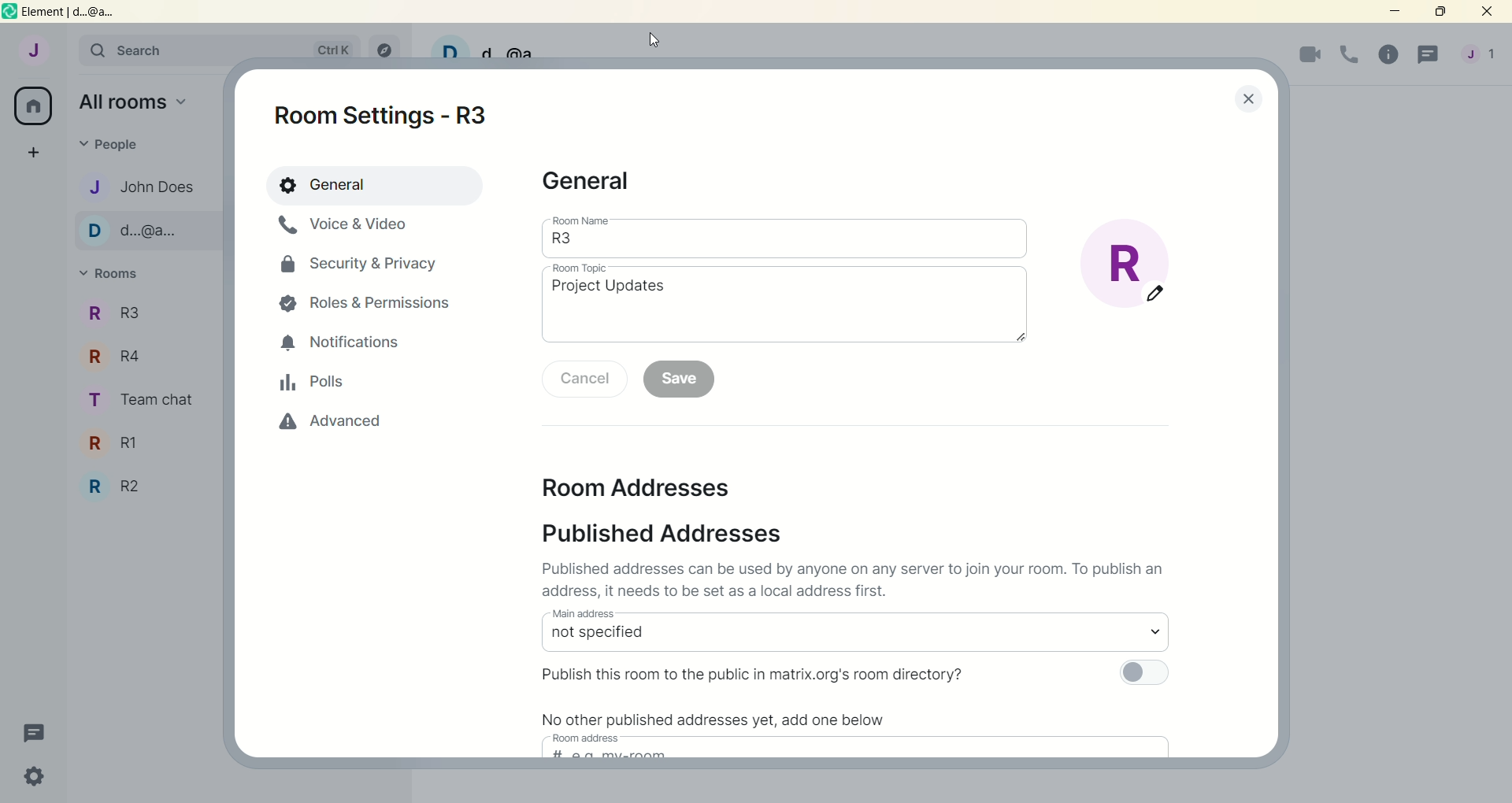  Describe the element at coordinates (140, 398) in the screenshot. I see `R1` at that location.